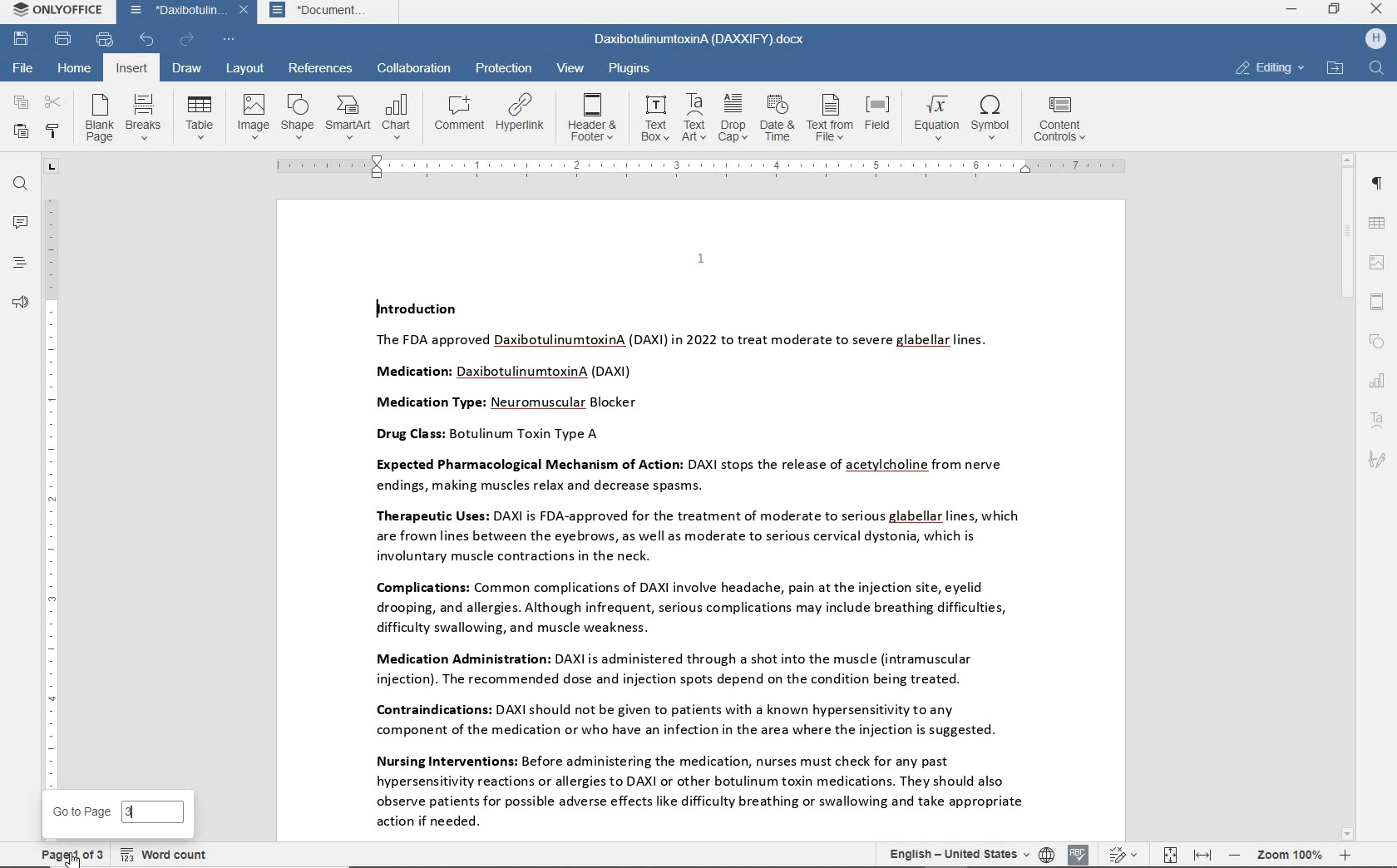 The height and width of the screenshot is (868, 1397). I want to click on file, so click(25, 67).